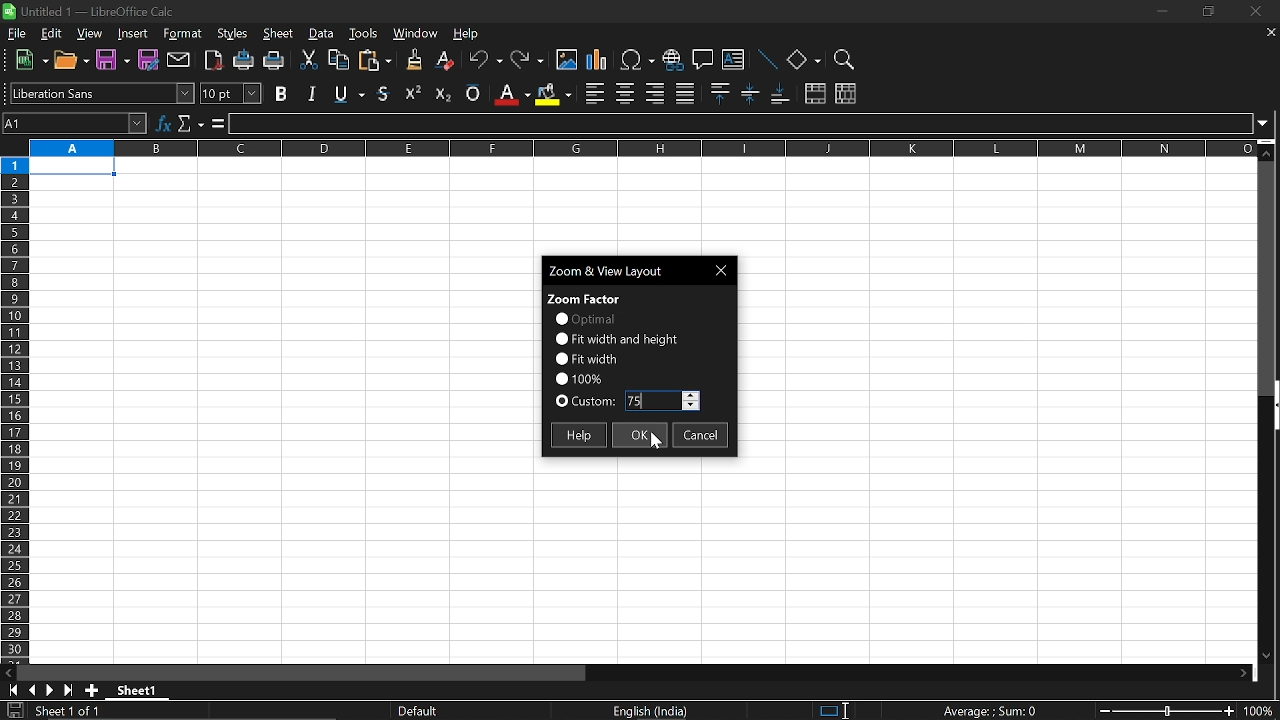 Image resolution: width=1280 pixels, height=720 pixels. I want to click on align bottom, so click(782, 95).